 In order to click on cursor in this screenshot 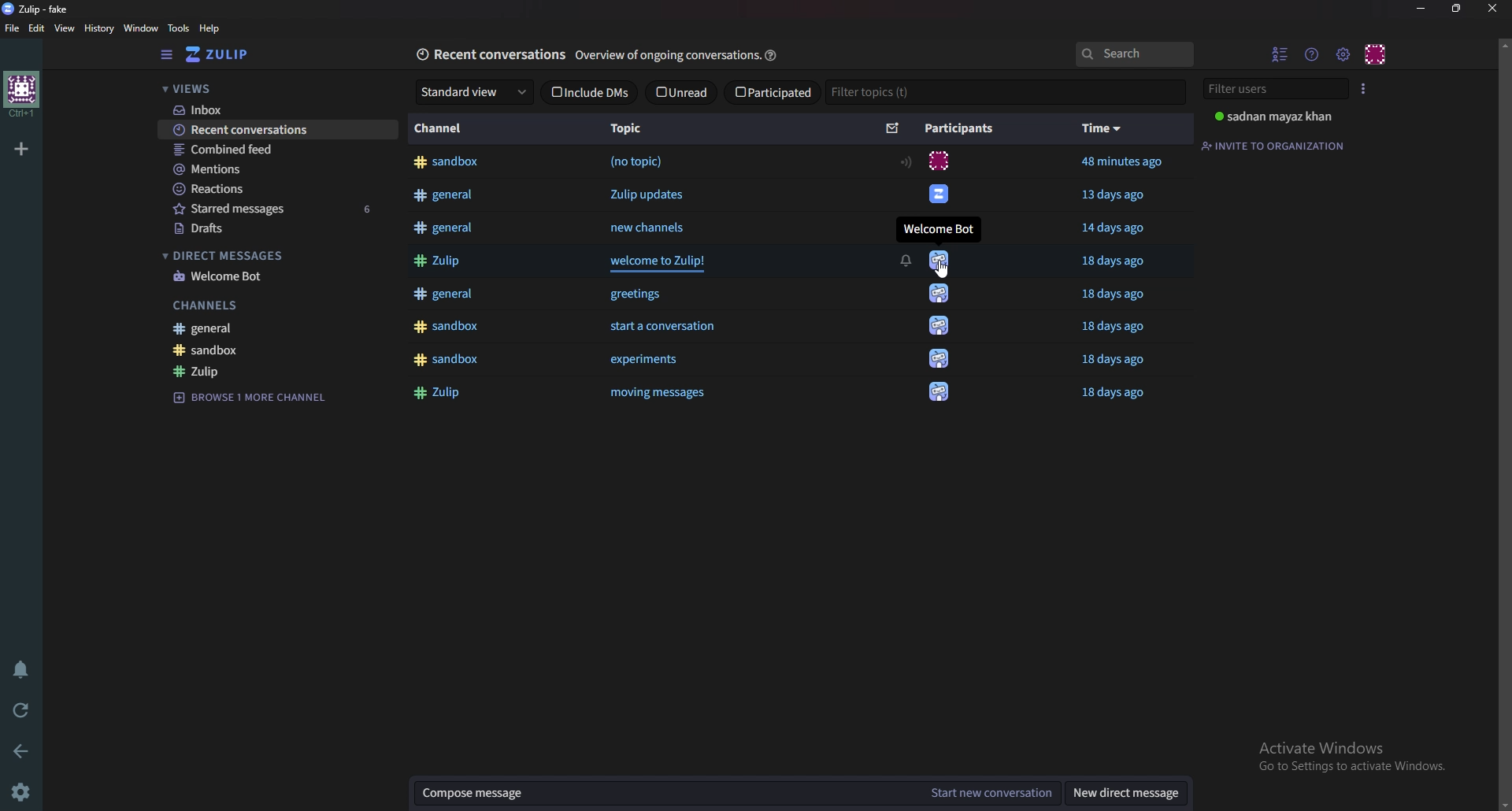, I will do `click(943, 268)`.